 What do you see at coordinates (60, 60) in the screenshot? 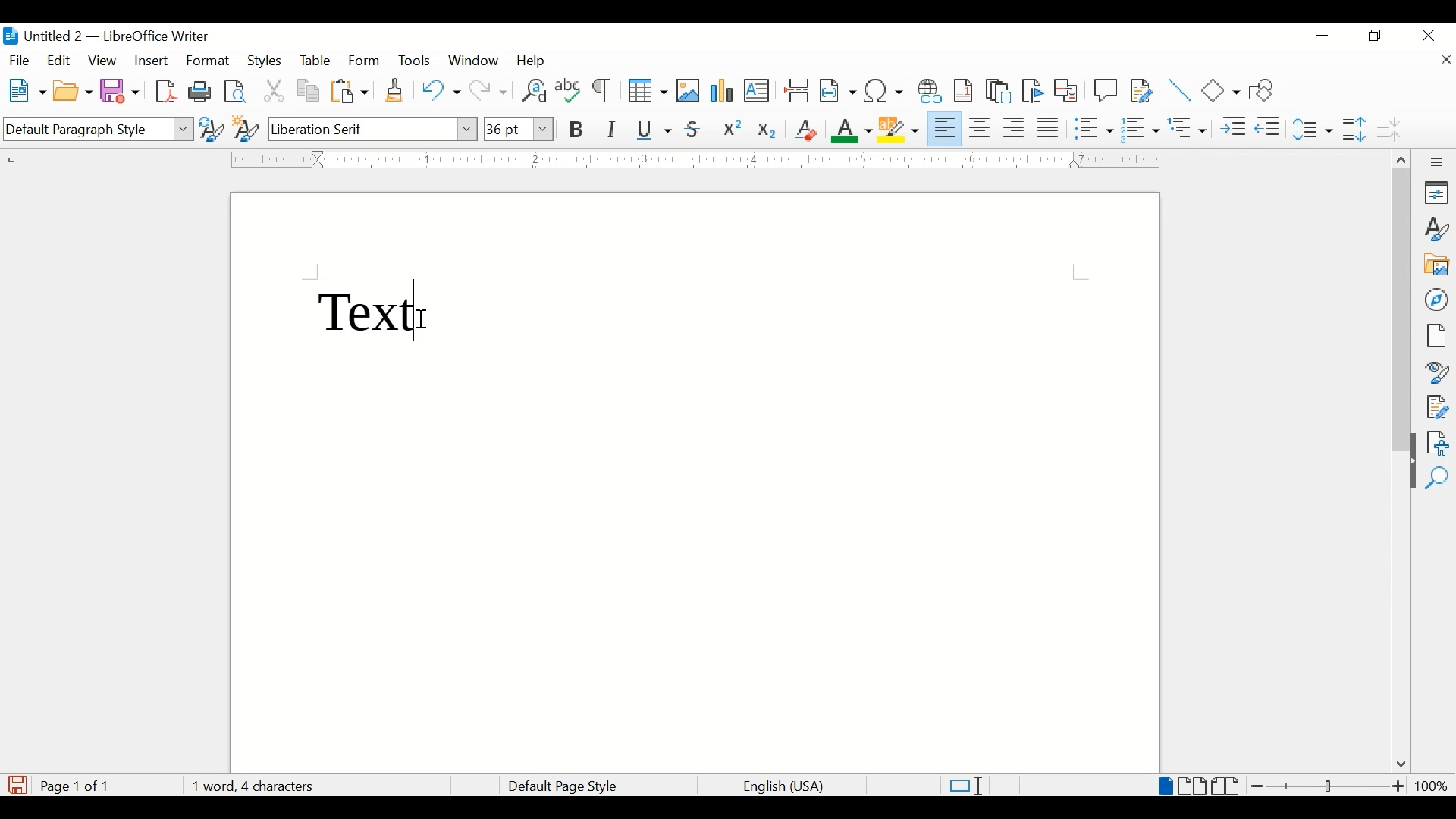
I see `edit` at bounding box center [60, 60].